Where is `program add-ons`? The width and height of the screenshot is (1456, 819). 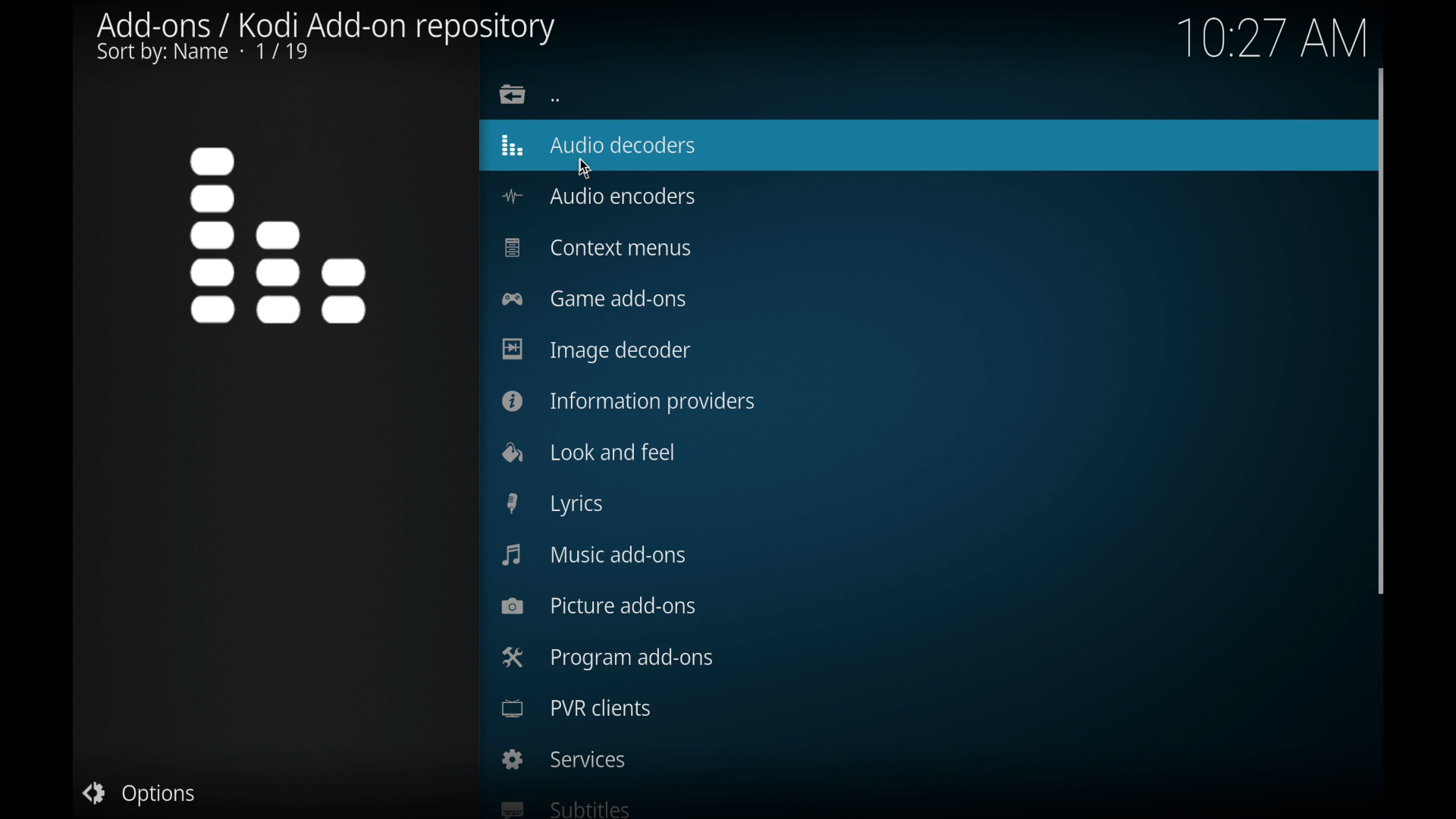
program add-ons is located at coordinates (606, 657).